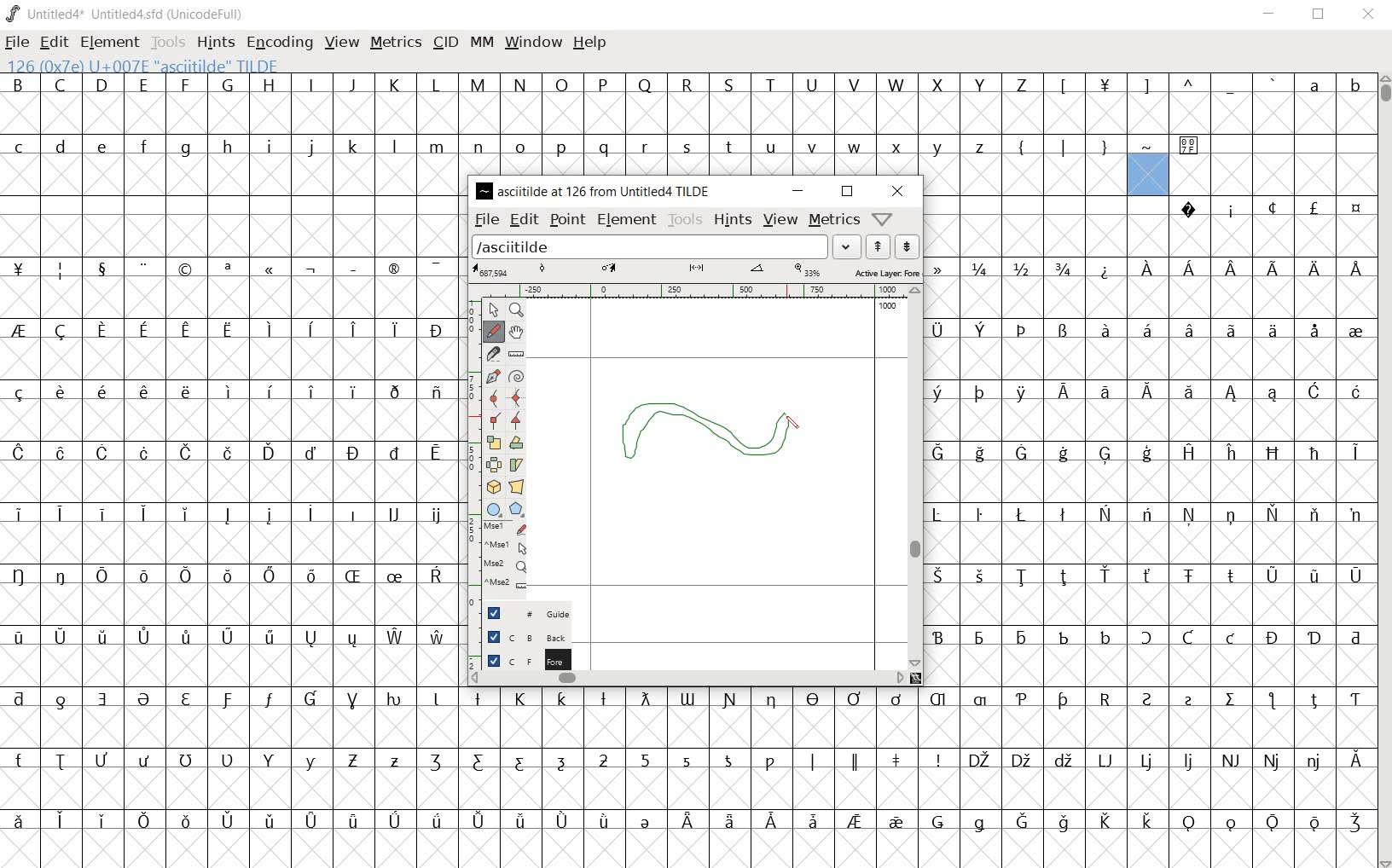 This screenshot has width=1392, height=868. I want to click on edit, so click(523, 220).